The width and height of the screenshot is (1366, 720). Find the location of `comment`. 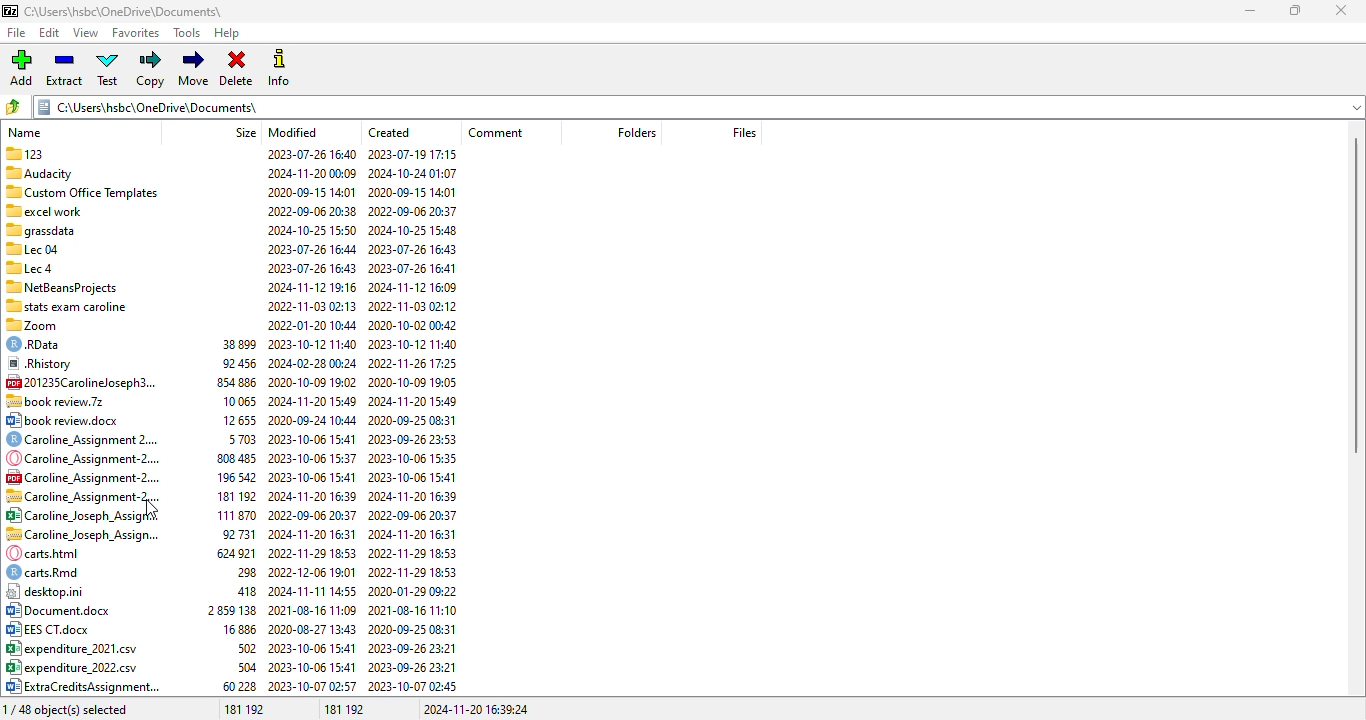

comment is located at coordinates (495, 132).